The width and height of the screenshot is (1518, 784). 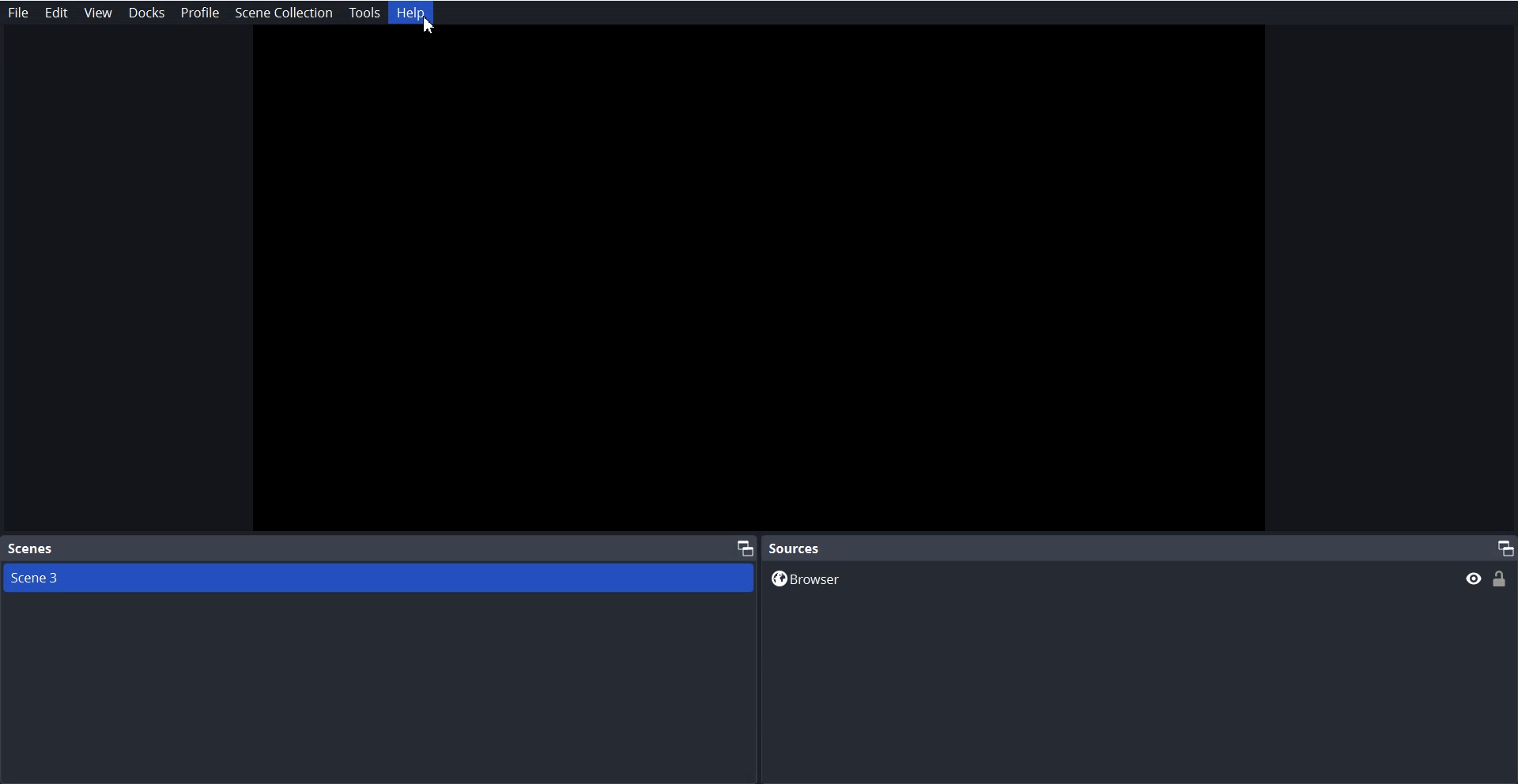 What do you see at coordinates (1469, 580) in the screenshot?
I see `Preview` at bounding box center [1469, 580].